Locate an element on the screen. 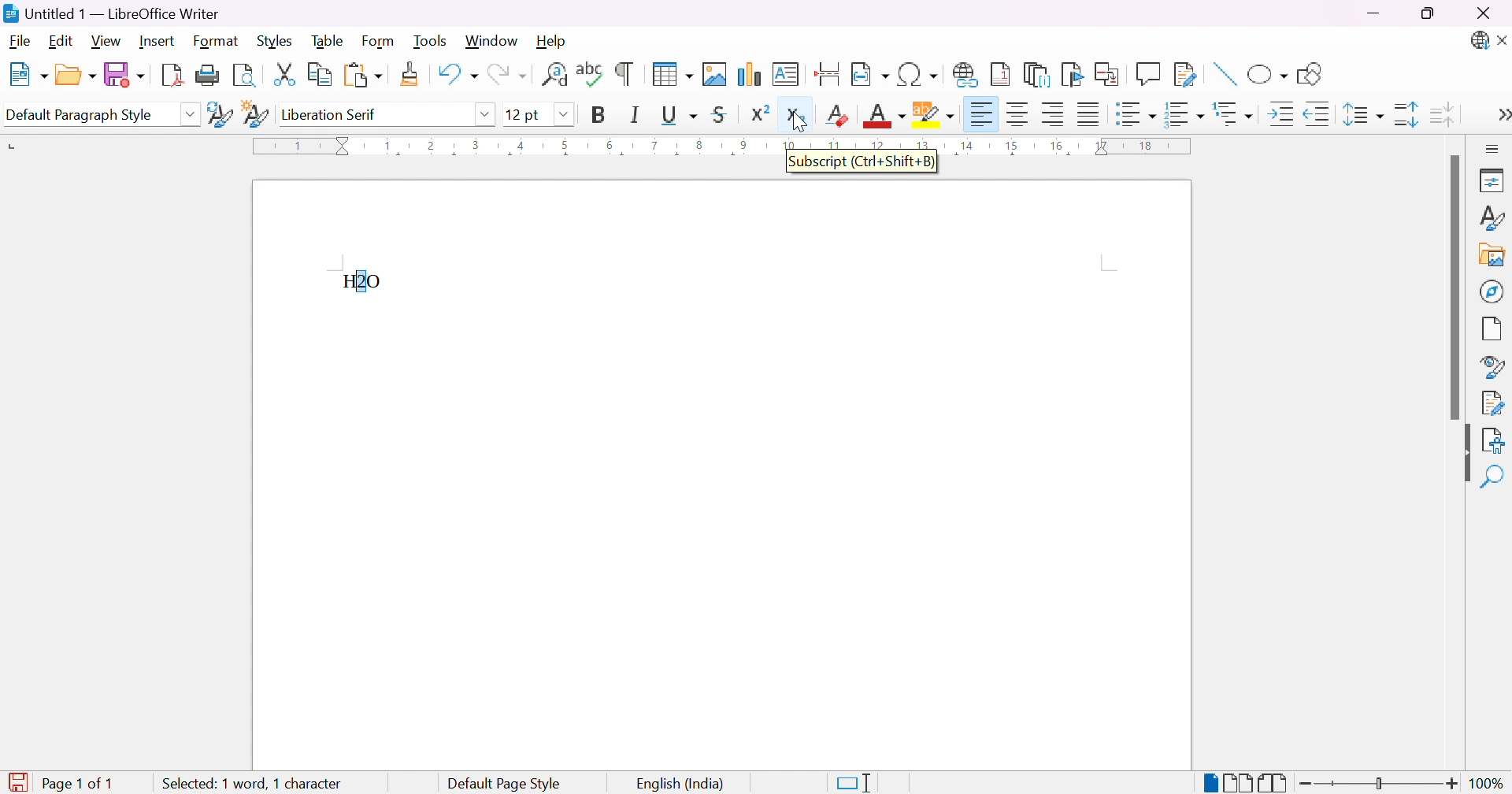 Image resolution: width=1512 pixels, height=794 pixels. Accessibility check is located at coordinates (1492, 440).